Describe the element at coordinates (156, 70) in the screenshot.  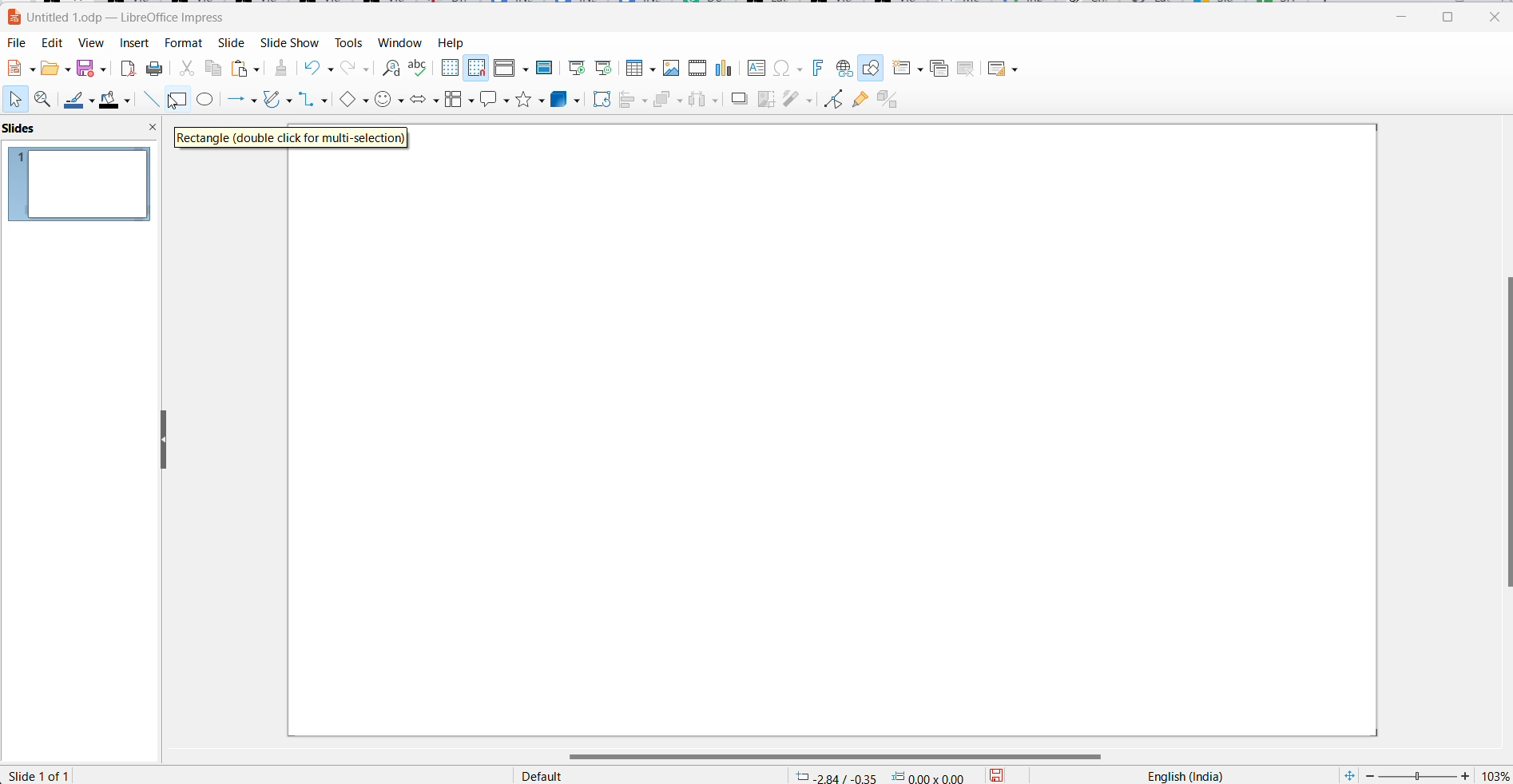
I see `print` at that location.